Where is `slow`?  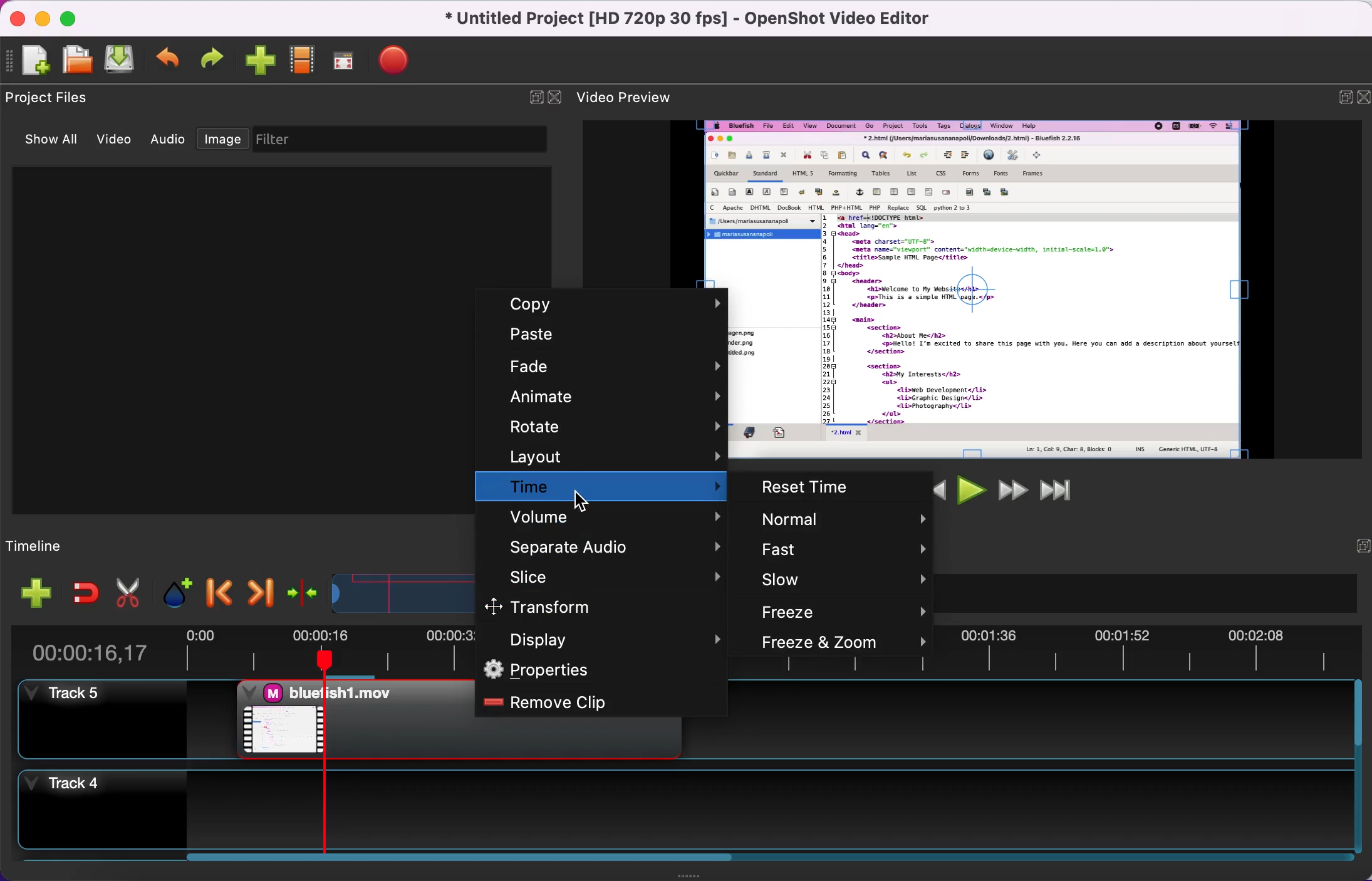
slow is located at coordinates (846, 579).